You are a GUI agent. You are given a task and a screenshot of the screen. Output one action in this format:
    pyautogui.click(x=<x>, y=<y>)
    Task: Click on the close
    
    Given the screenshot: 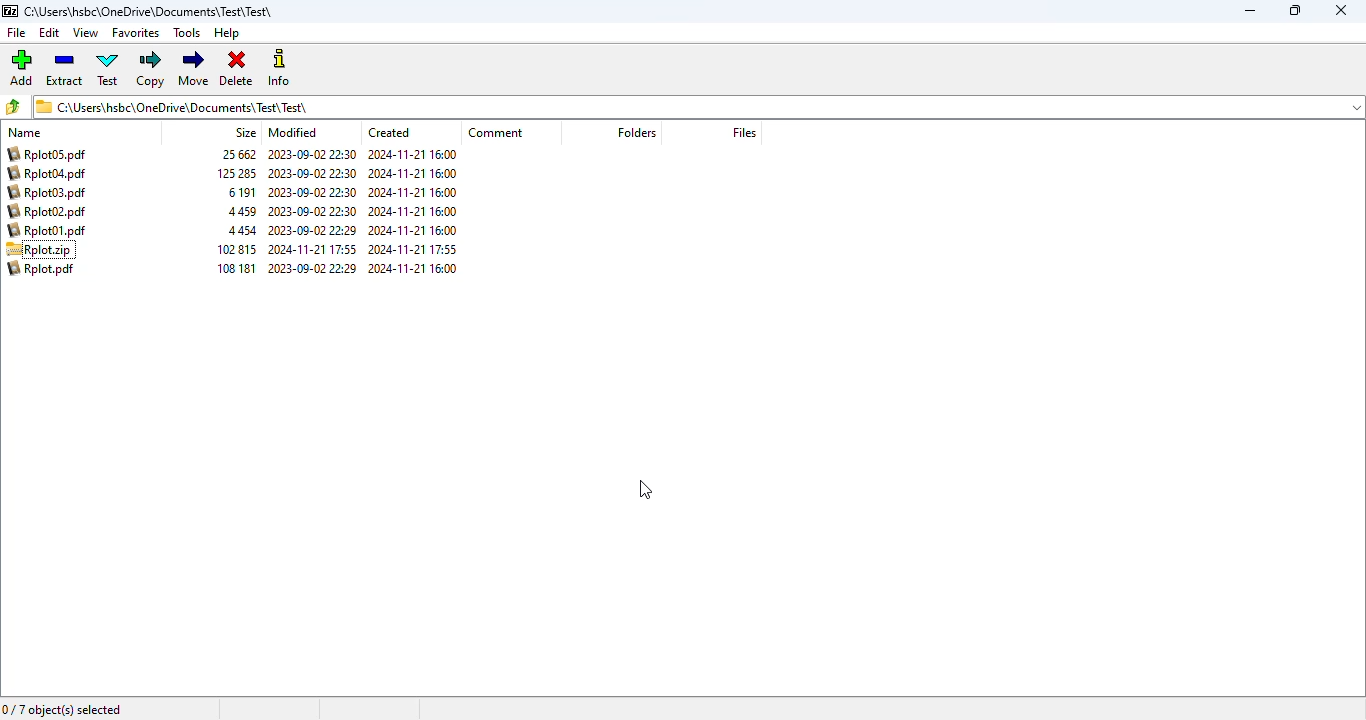 What is the action you would take?
    pyautogui.click(x=1340, y=10)
    